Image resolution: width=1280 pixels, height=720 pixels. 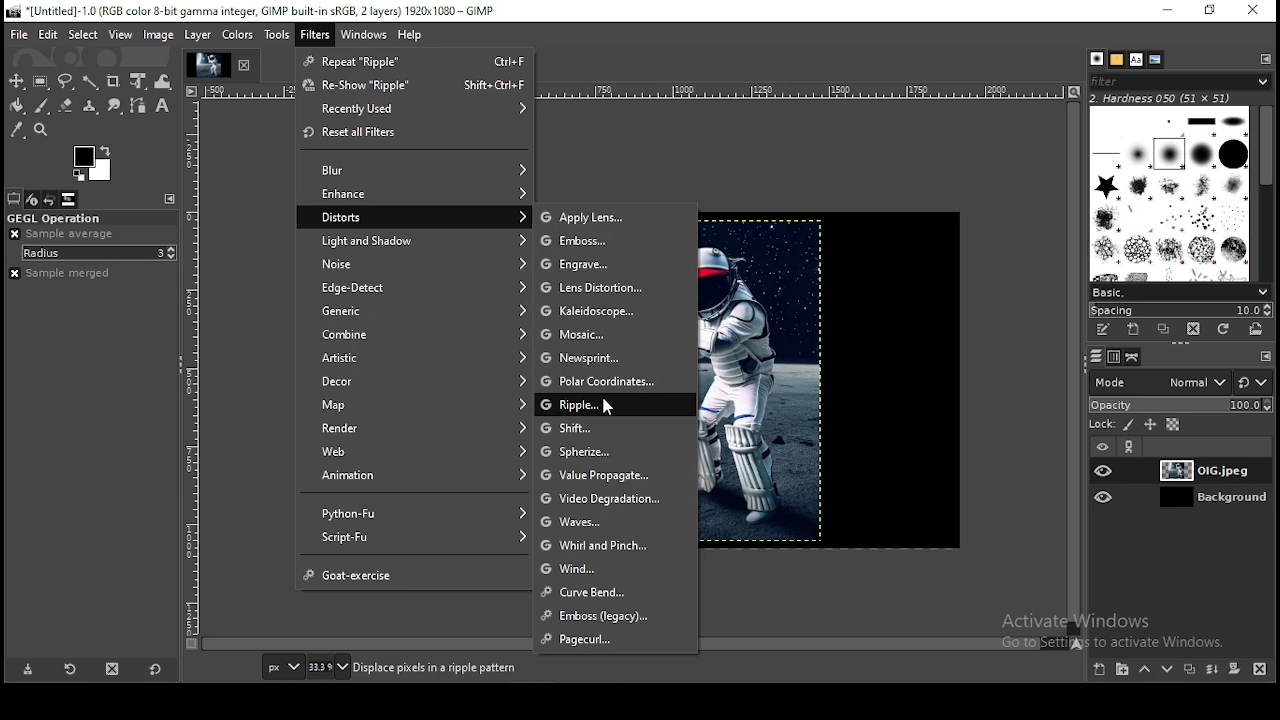 I want to click on move layer up, so click(x=1150, y=670).